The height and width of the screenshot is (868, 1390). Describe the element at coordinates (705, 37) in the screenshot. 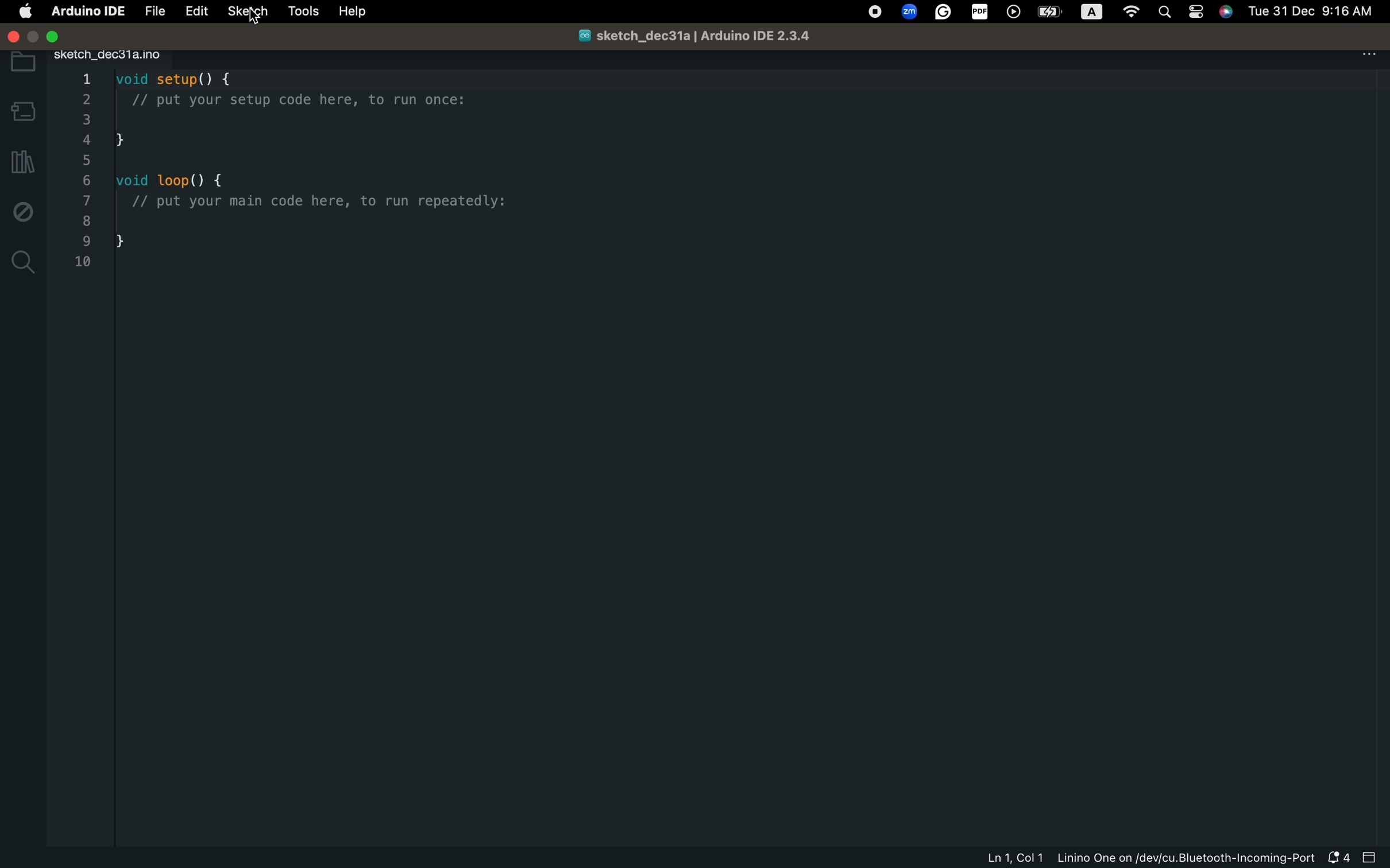

I see `file name` at that location.